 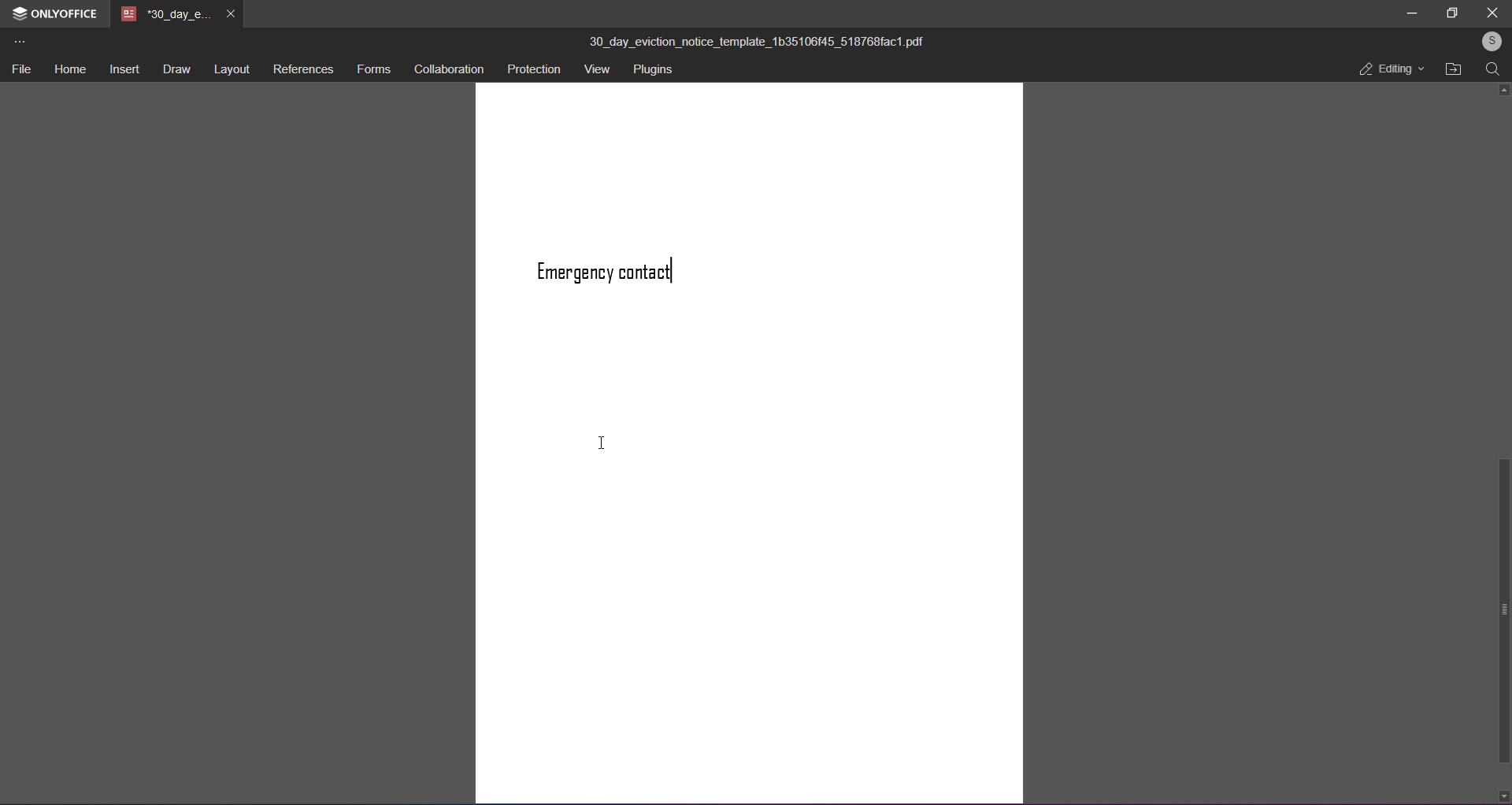 What do you see at coordinates (1488, 43) in the screenshot?
I see `user` at bounding box center [1488, 43].